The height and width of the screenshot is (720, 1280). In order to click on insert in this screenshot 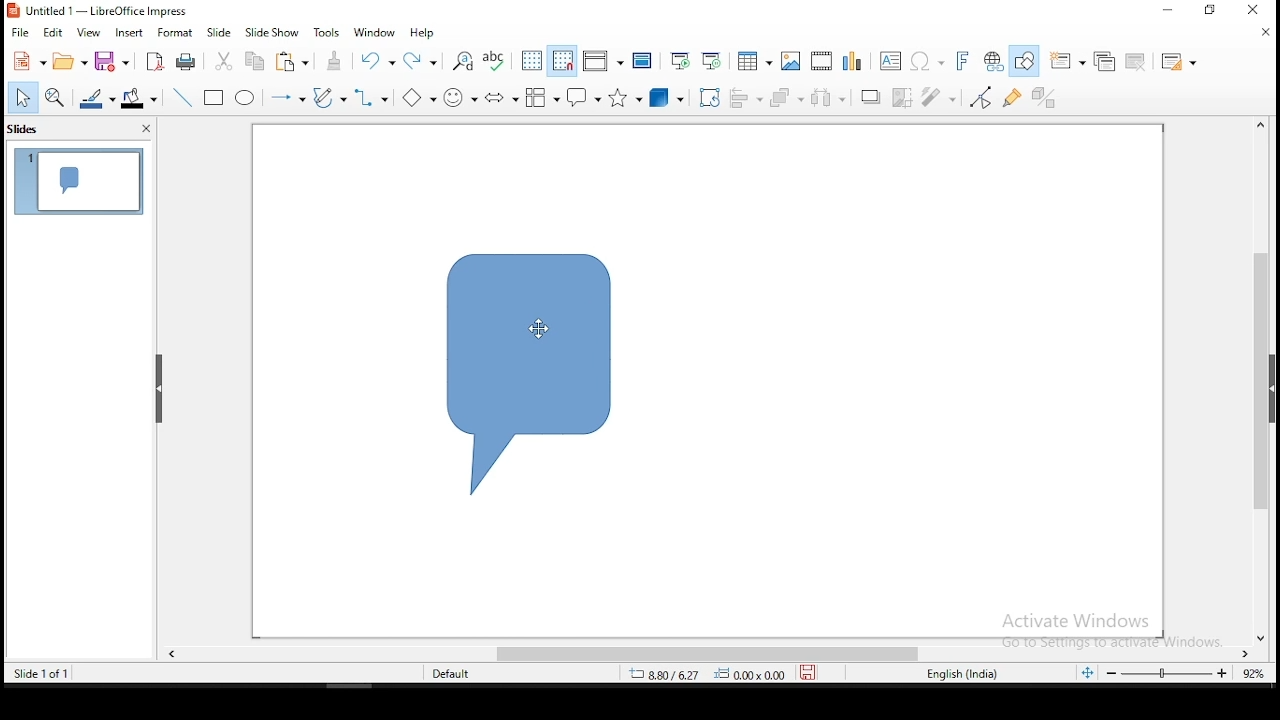, I will do `click(128, 33)`.